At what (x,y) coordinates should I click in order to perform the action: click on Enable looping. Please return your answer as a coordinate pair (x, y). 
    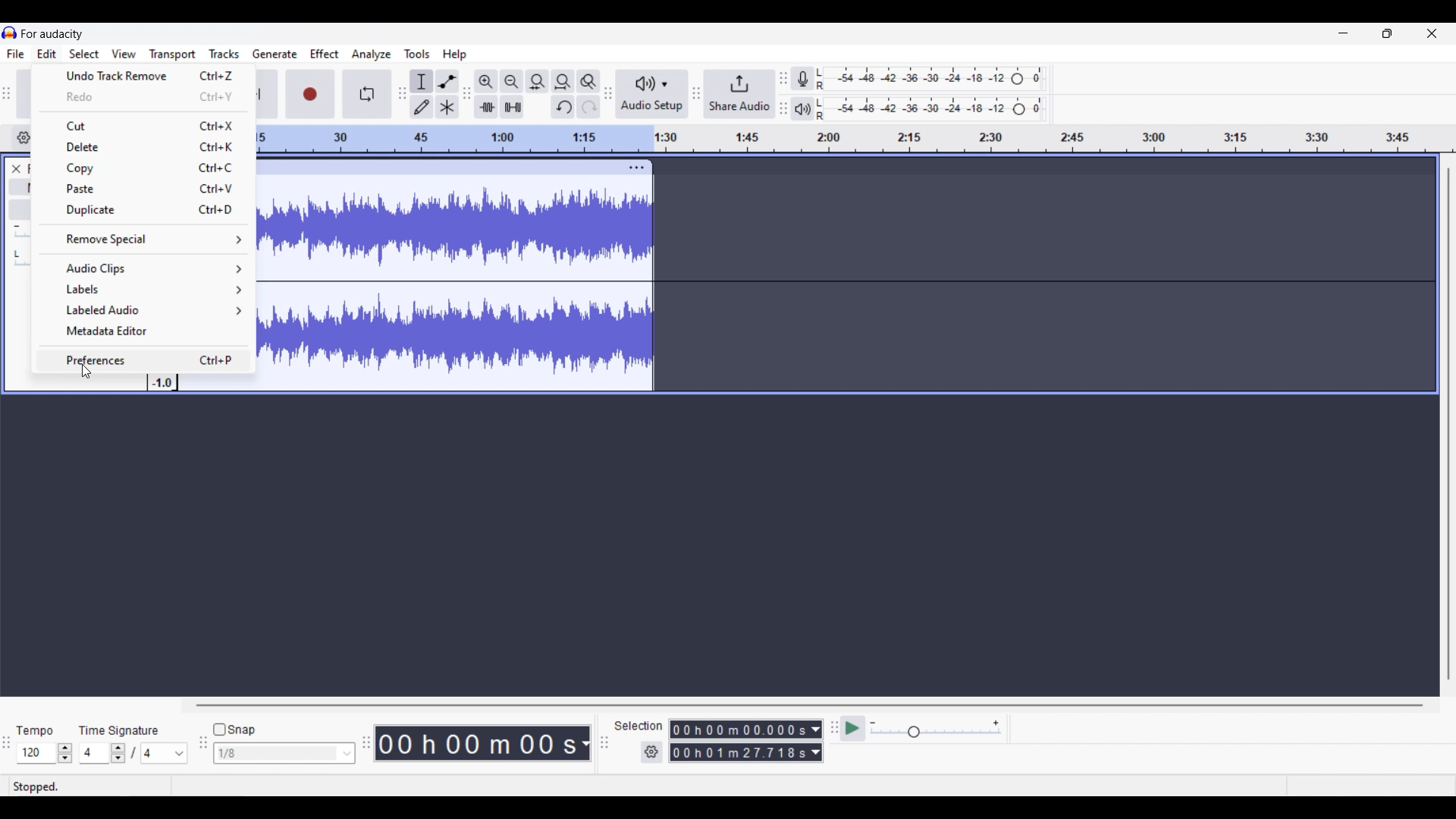
    Looking at the image, I should click on (367, 94).